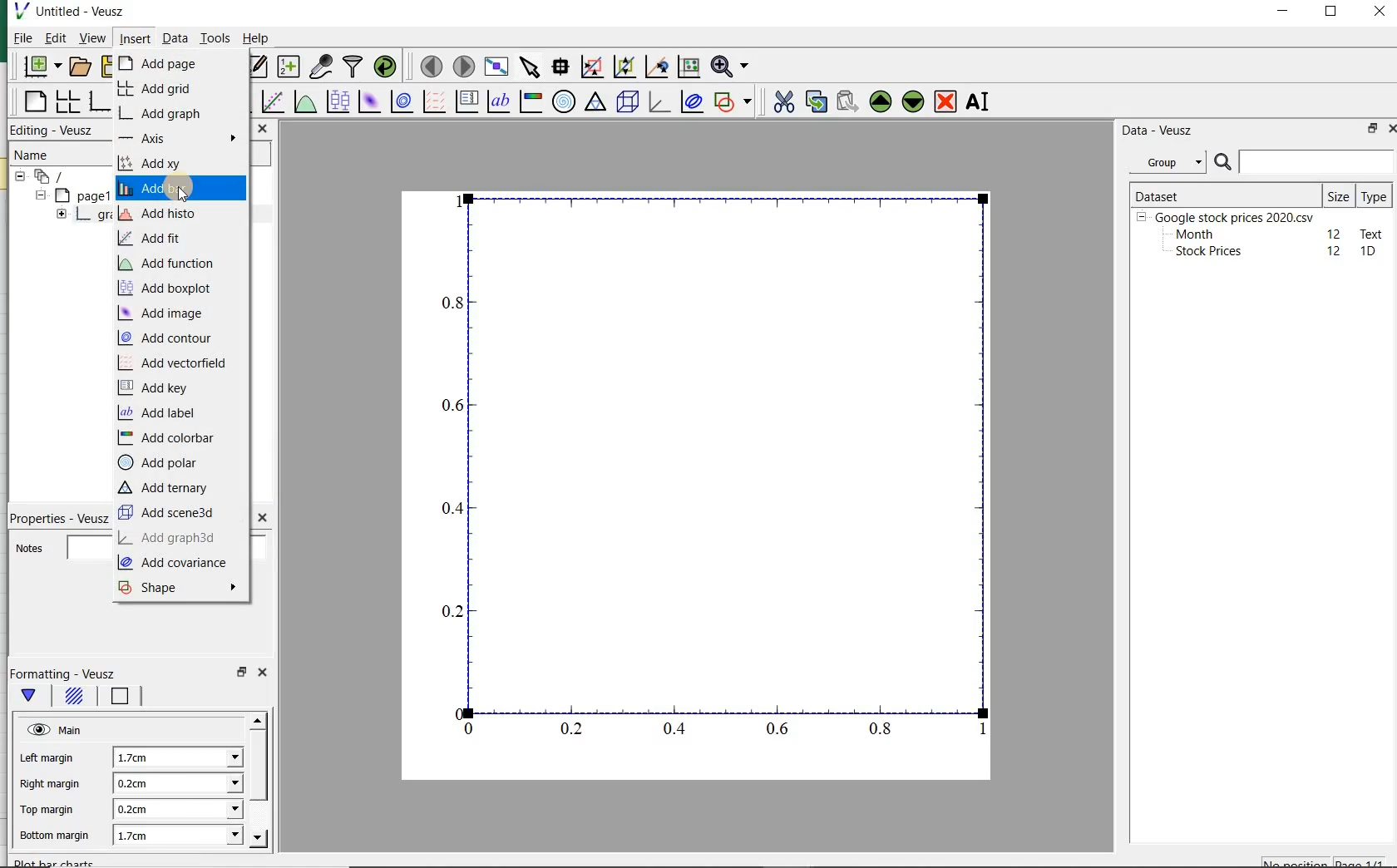 Image resolution: width=1397 pixels, height=868 pixels. Describe the element at coordinates (429, 65) in the screenshot. I see `move to the previous page` at that location.